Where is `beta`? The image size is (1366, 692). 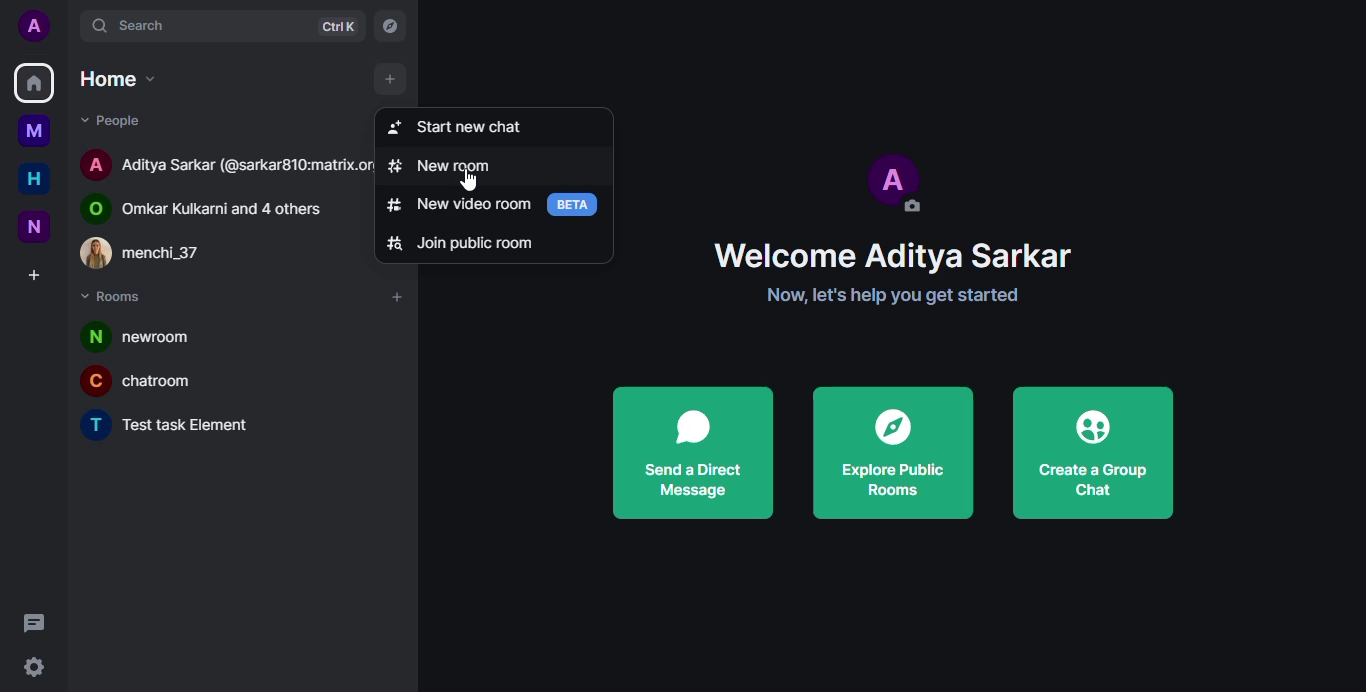 beta is located at coordinates (576, 203).